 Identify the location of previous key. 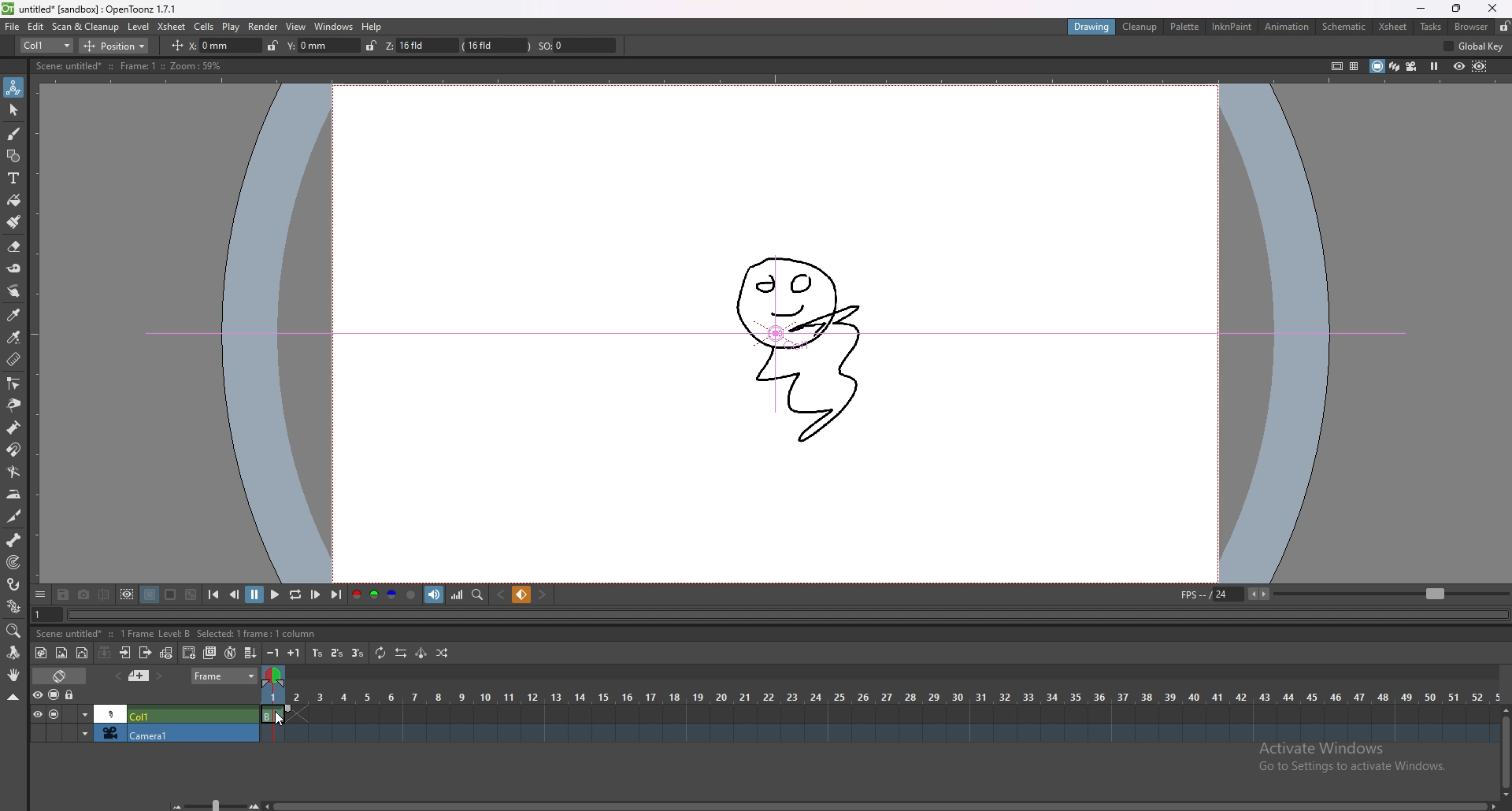
(502, 594).